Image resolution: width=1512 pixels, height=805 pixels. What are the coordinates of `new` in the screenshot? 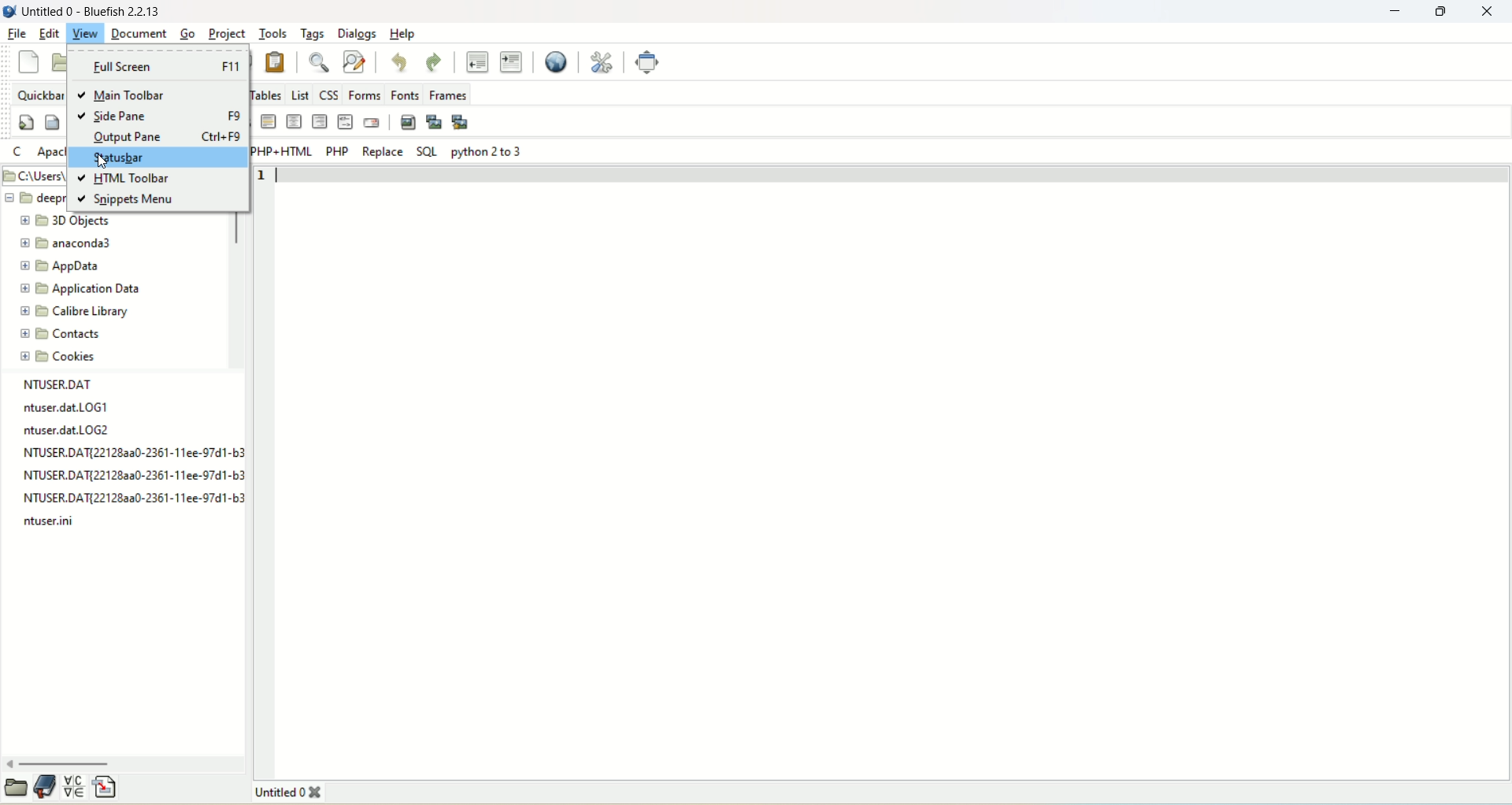 It's located at (31, 61).